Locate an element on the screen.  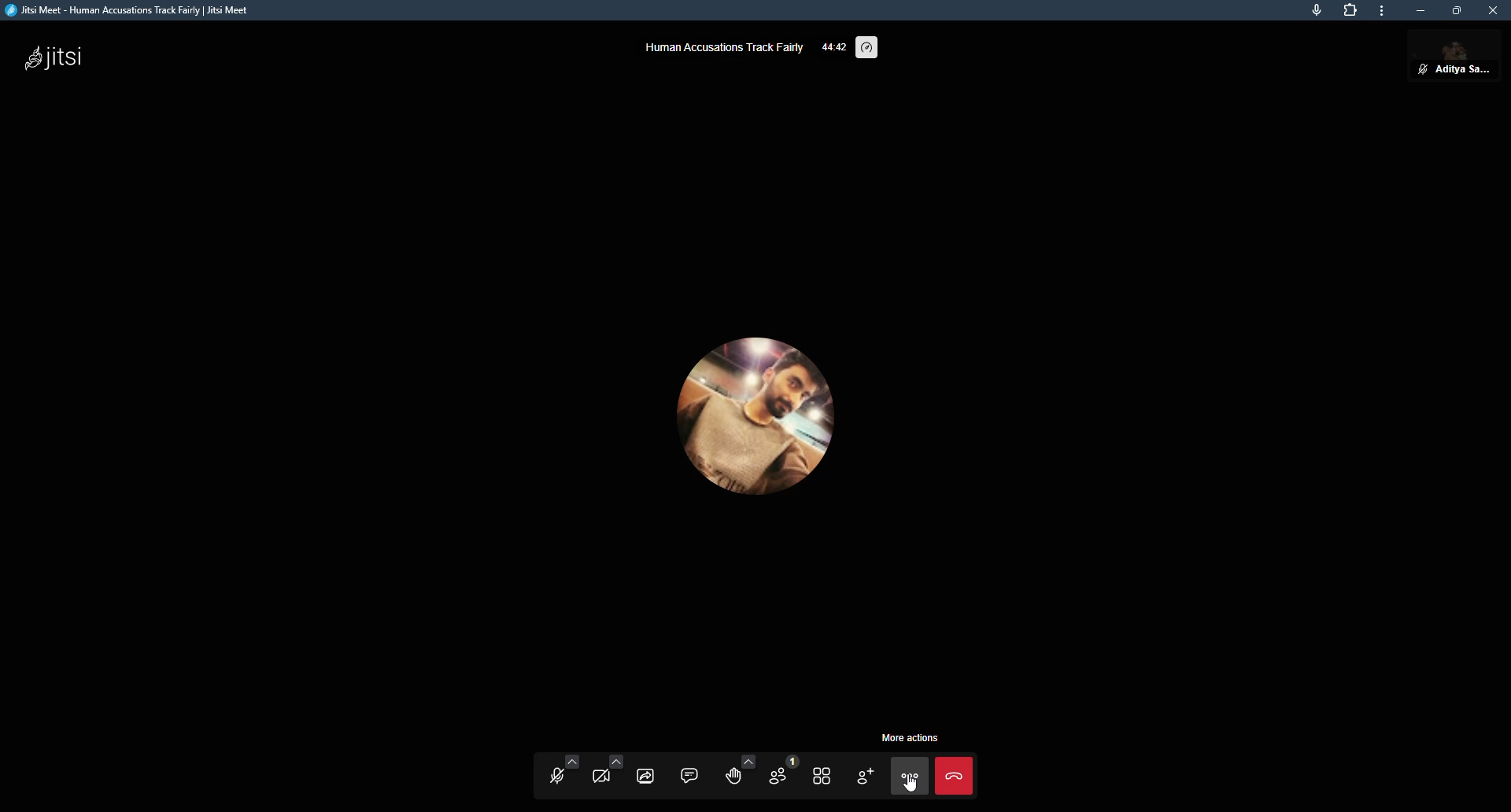
toggle tile view is located at coordinates (818, 775).